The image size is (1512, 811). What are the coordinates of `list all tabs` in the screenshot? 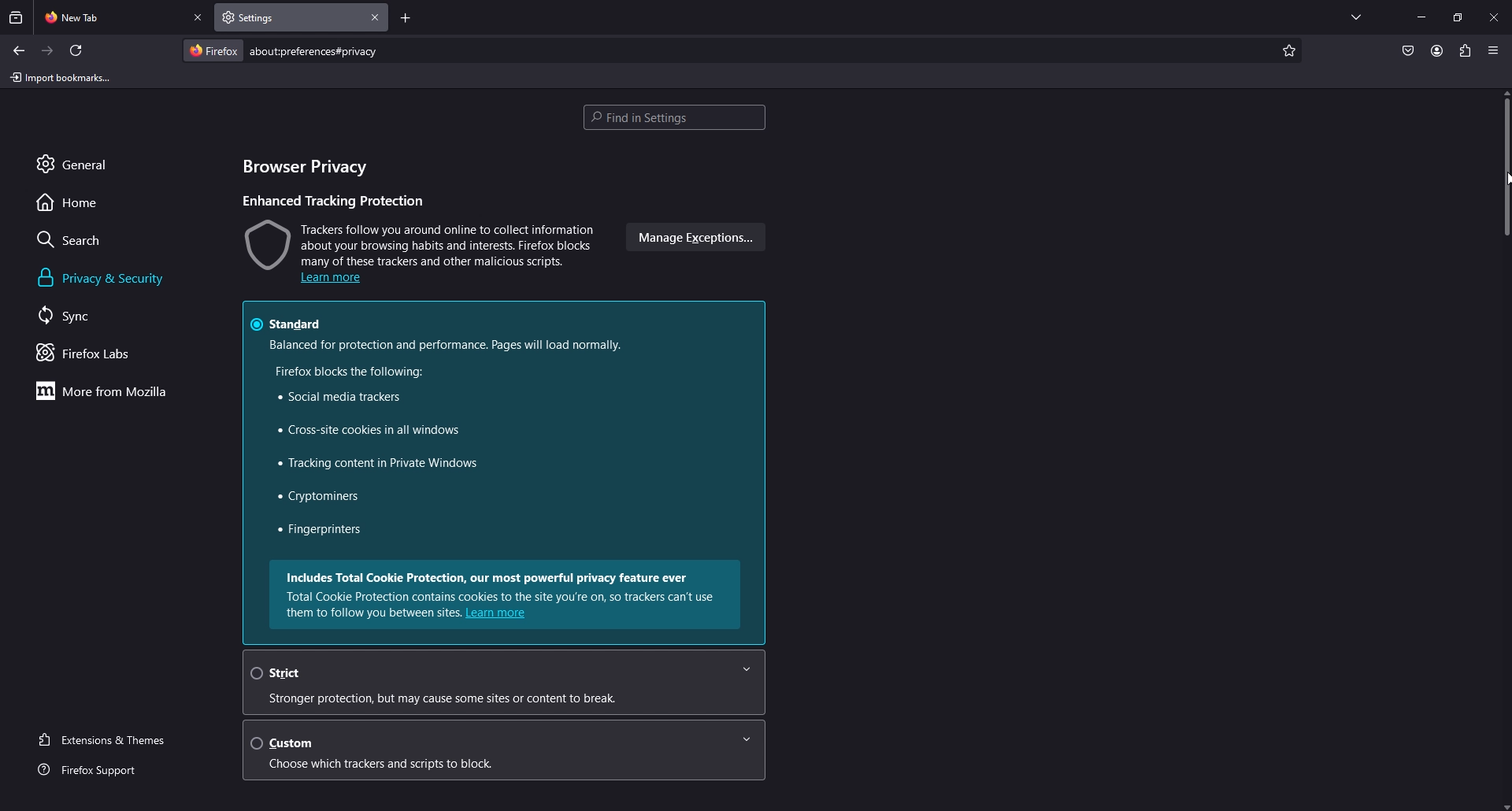 It's located at (1356, 14).